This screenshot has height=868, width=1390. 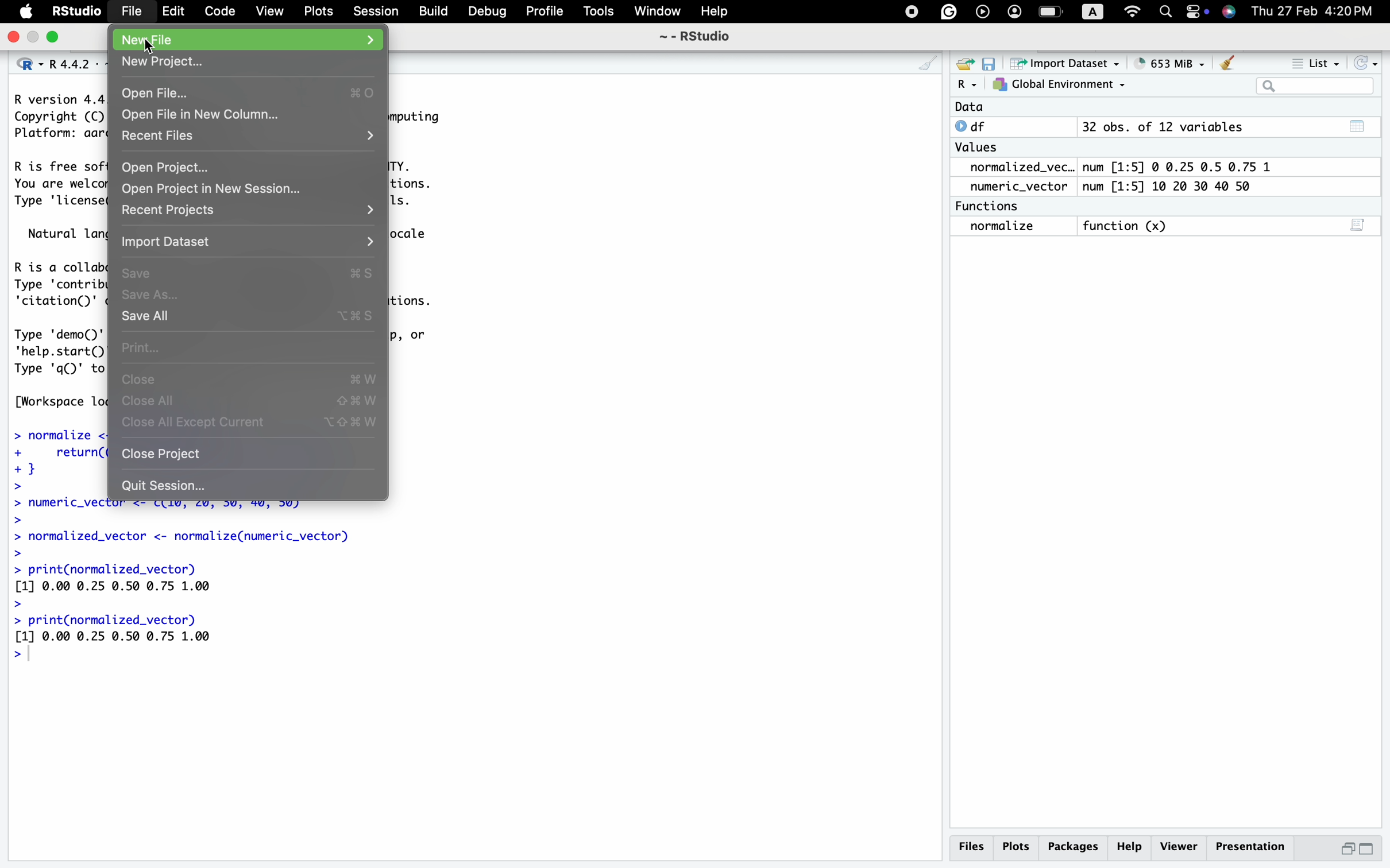 What do you see at coordinates (148, 346) in the screenshot?
I see `Print` at bounding box center [148, 346].